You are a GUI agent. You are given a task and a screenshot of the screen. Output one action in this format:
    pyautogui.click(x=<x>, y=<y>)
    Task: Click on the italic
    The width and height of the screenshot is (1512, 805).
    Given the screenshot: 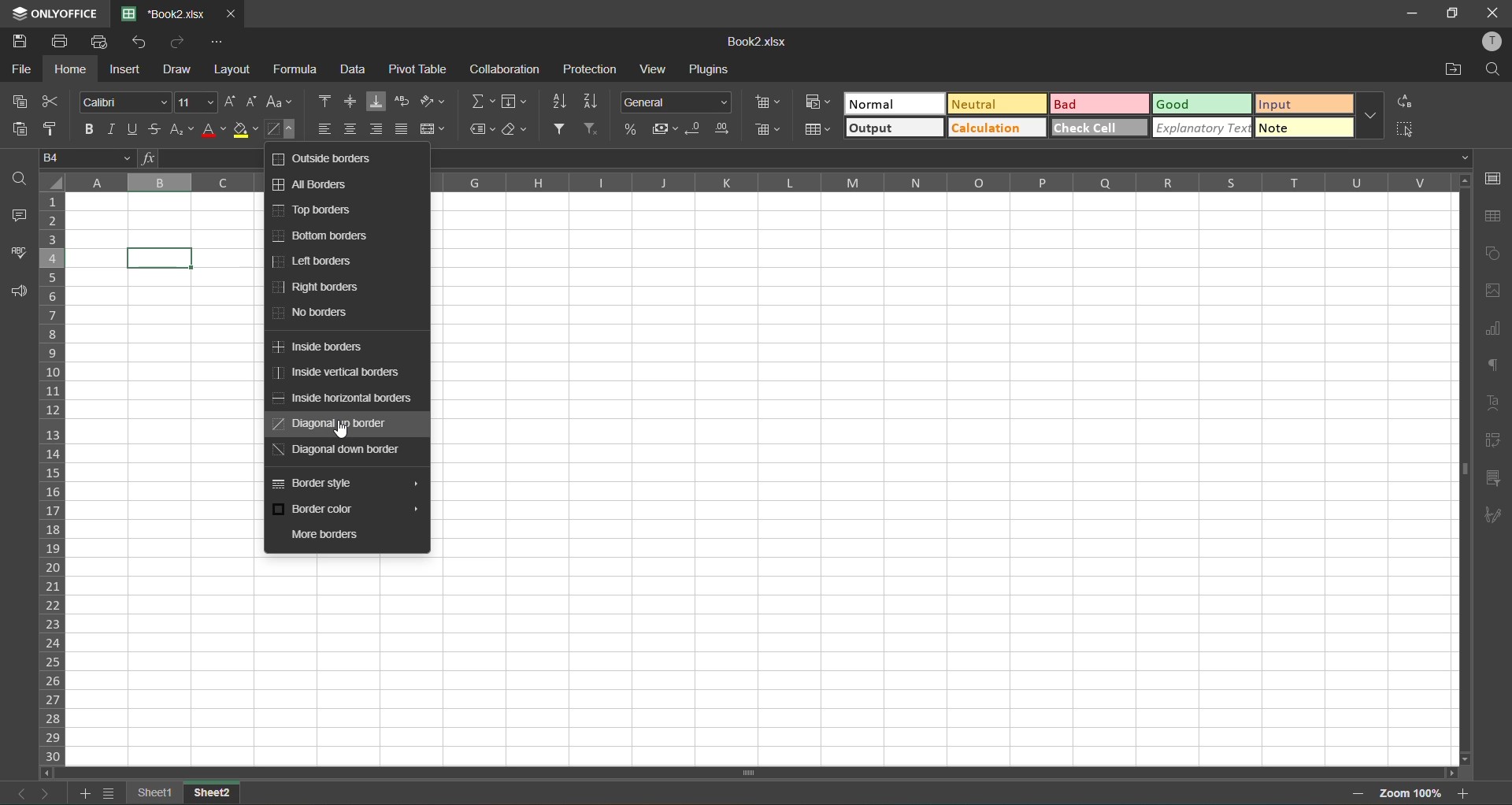 What is the action you would take?
    pyautogui.click(x=113, y=129)
    